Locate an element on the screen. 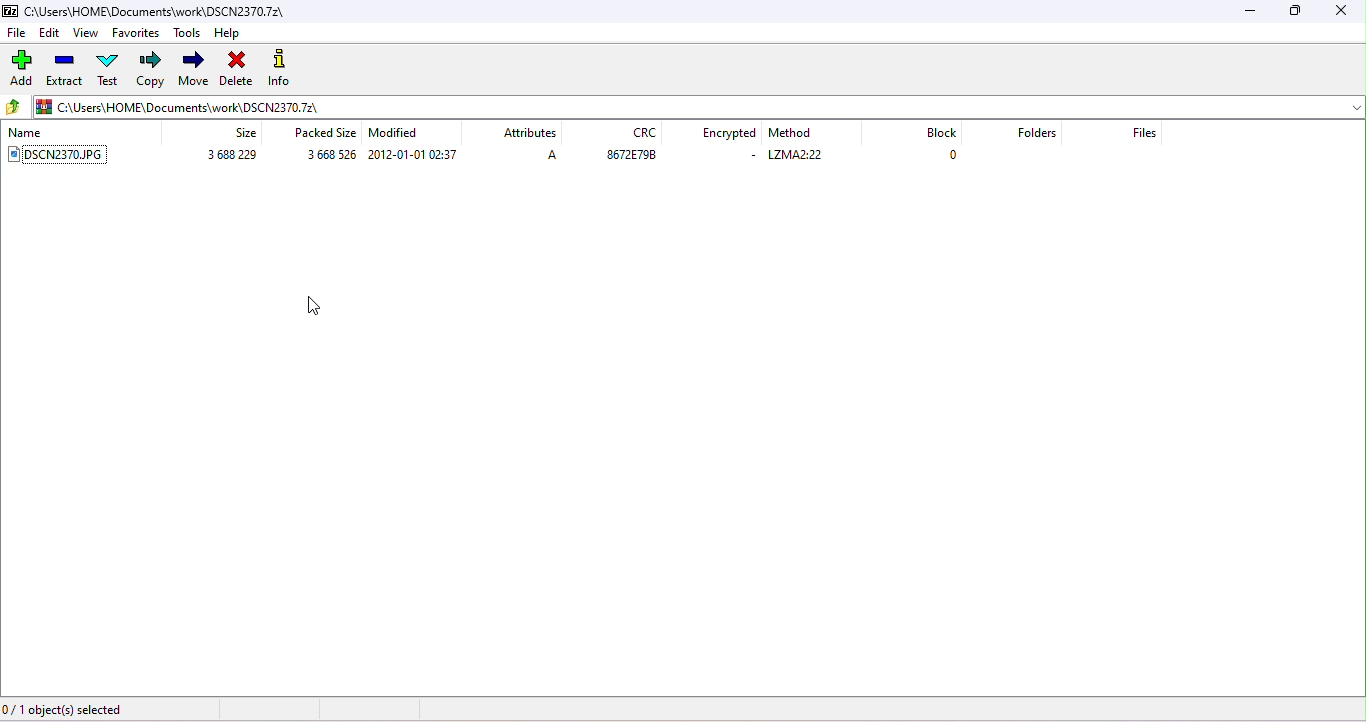 This screenshot has height=722, width=1366. tools is located at coordinates (188, 34).